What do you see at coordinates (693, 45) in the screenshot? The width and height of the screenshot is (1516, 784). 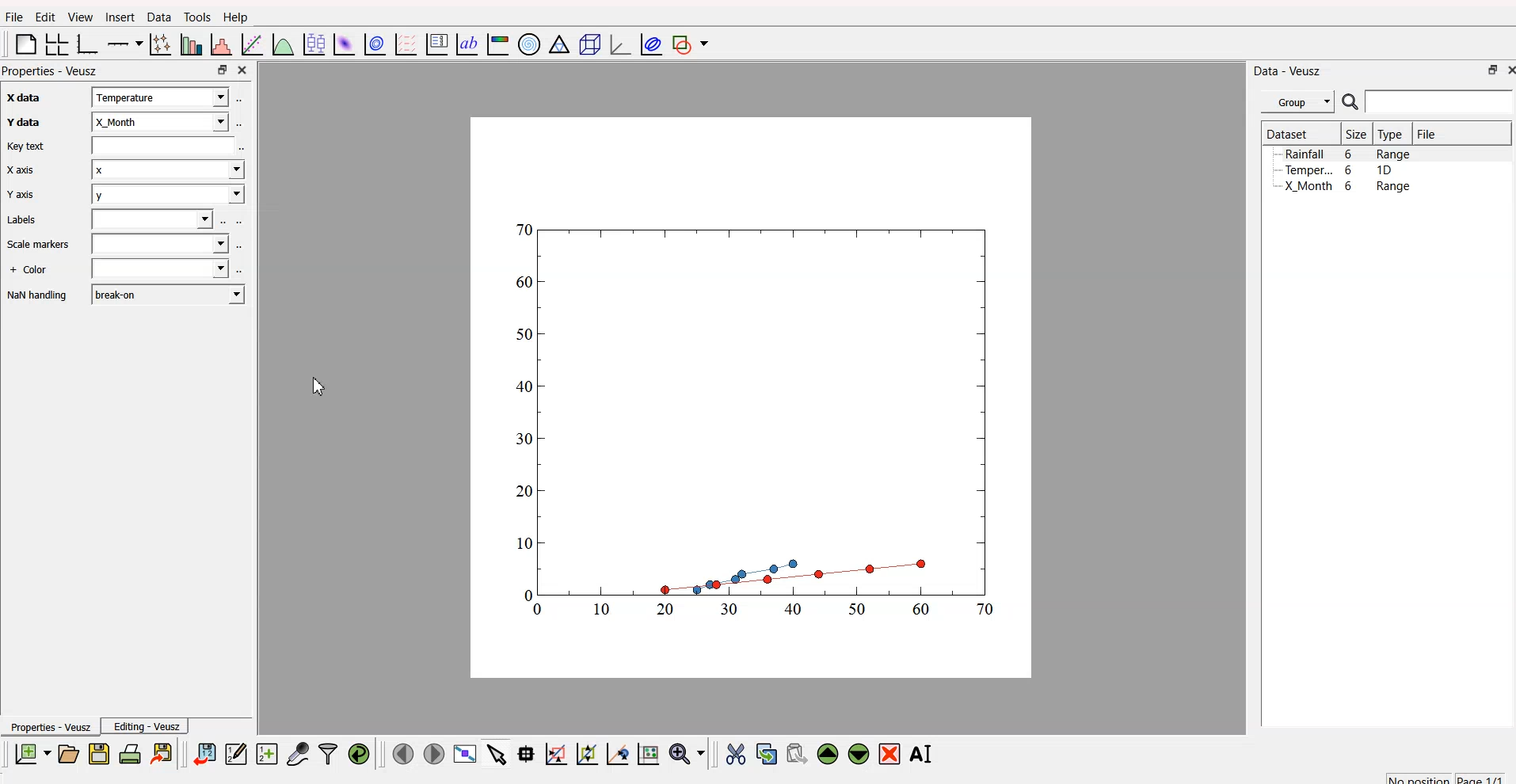 I see `add shape to plot` at bounding box center [693, 45].